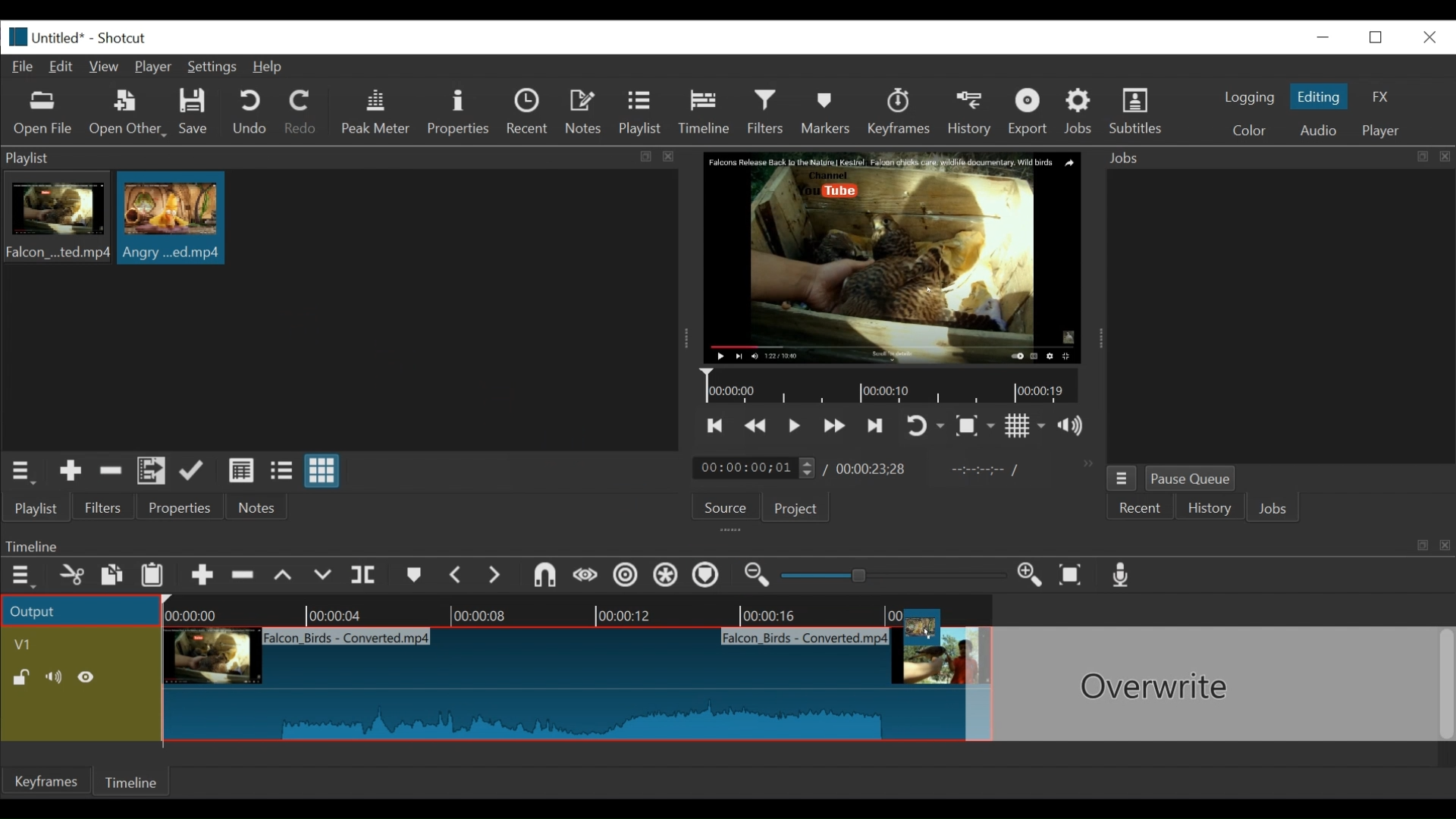 This screenshot has width=1456, height=819. What do you see at coordinates (1321, 96) in the screenshot?
I see `Editing` at bounding box center [1321, 96].